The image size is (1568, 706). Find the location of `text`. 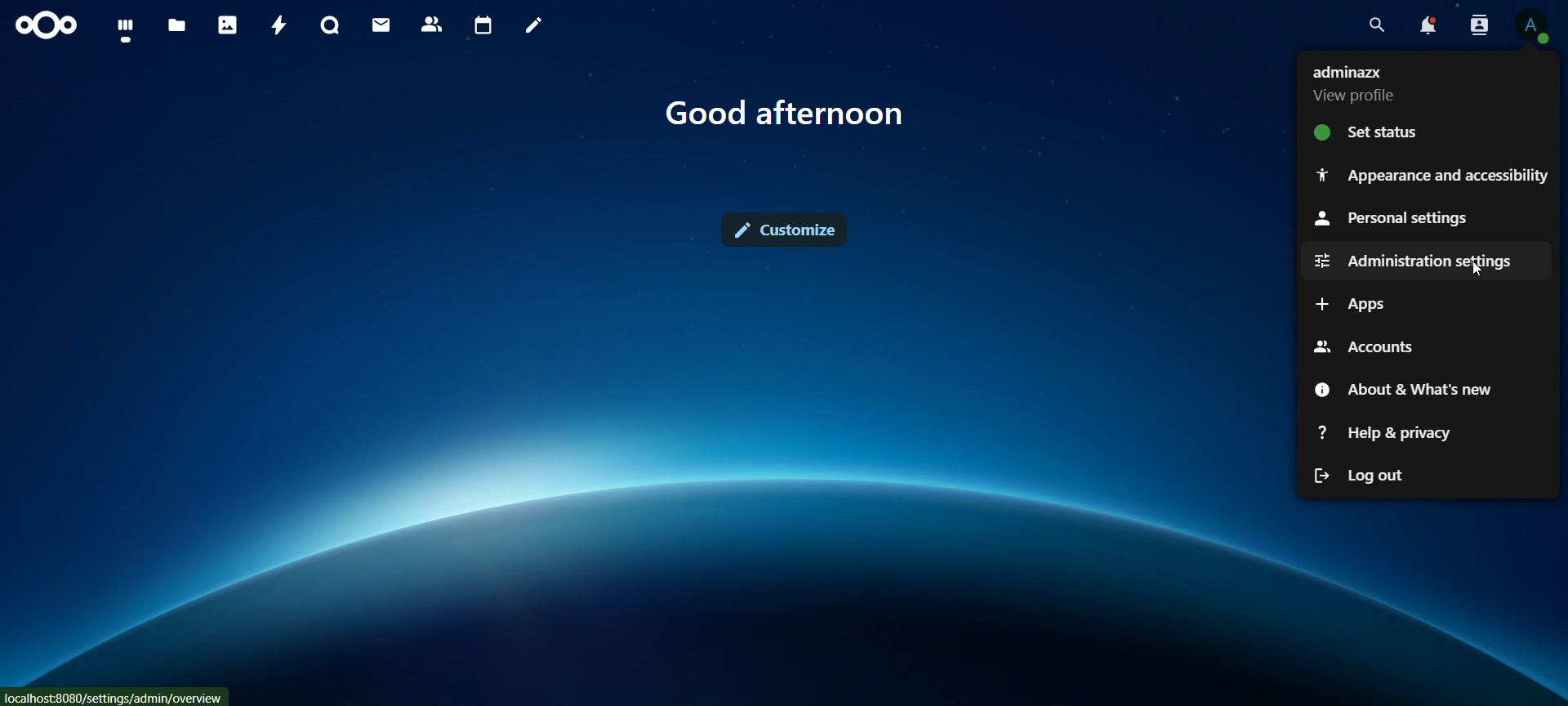

text is located at coordinates (787, 114).